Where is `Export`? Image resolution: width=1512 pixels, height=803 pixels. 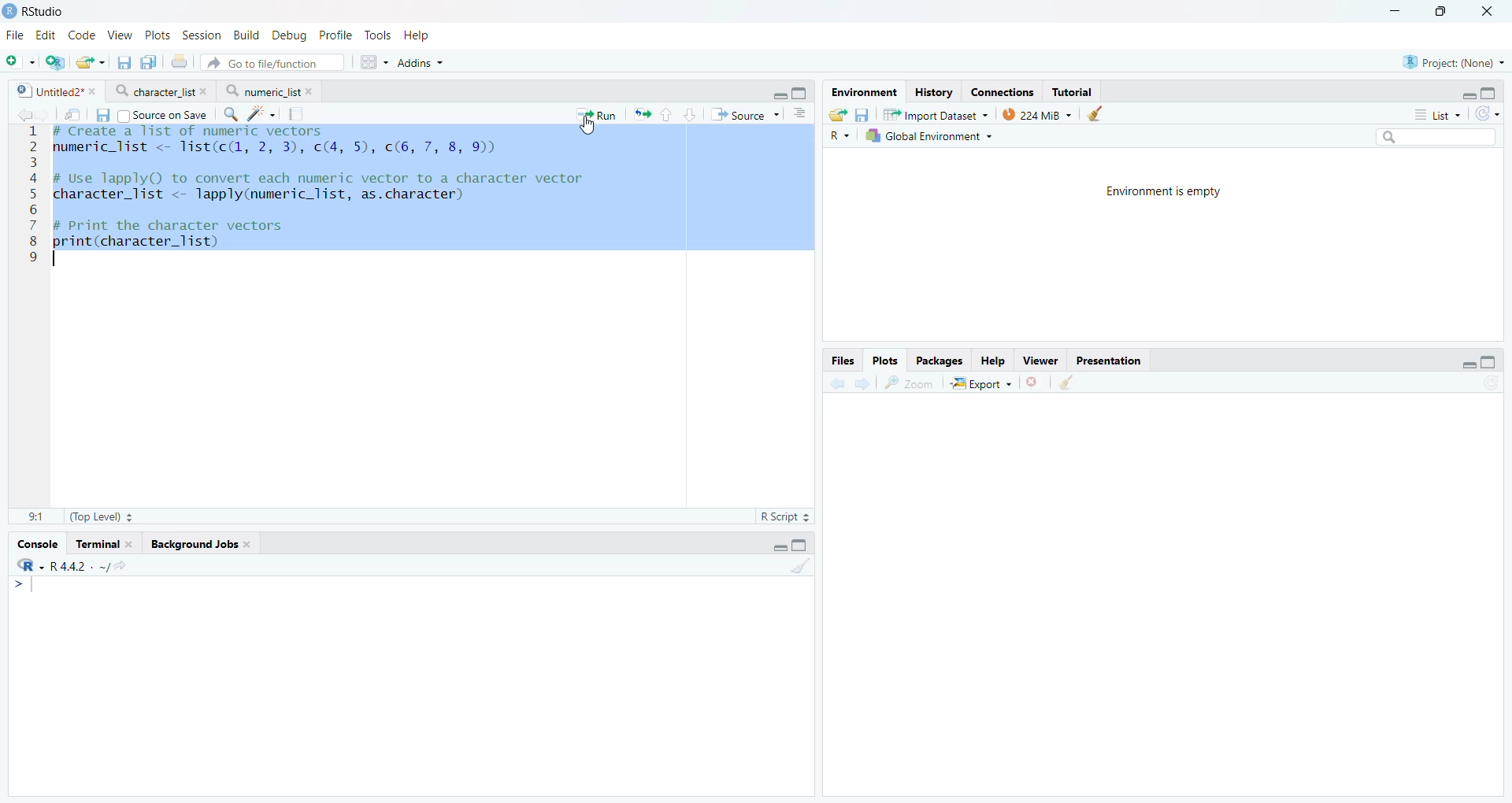
Export is located at coordinates (982, 383).